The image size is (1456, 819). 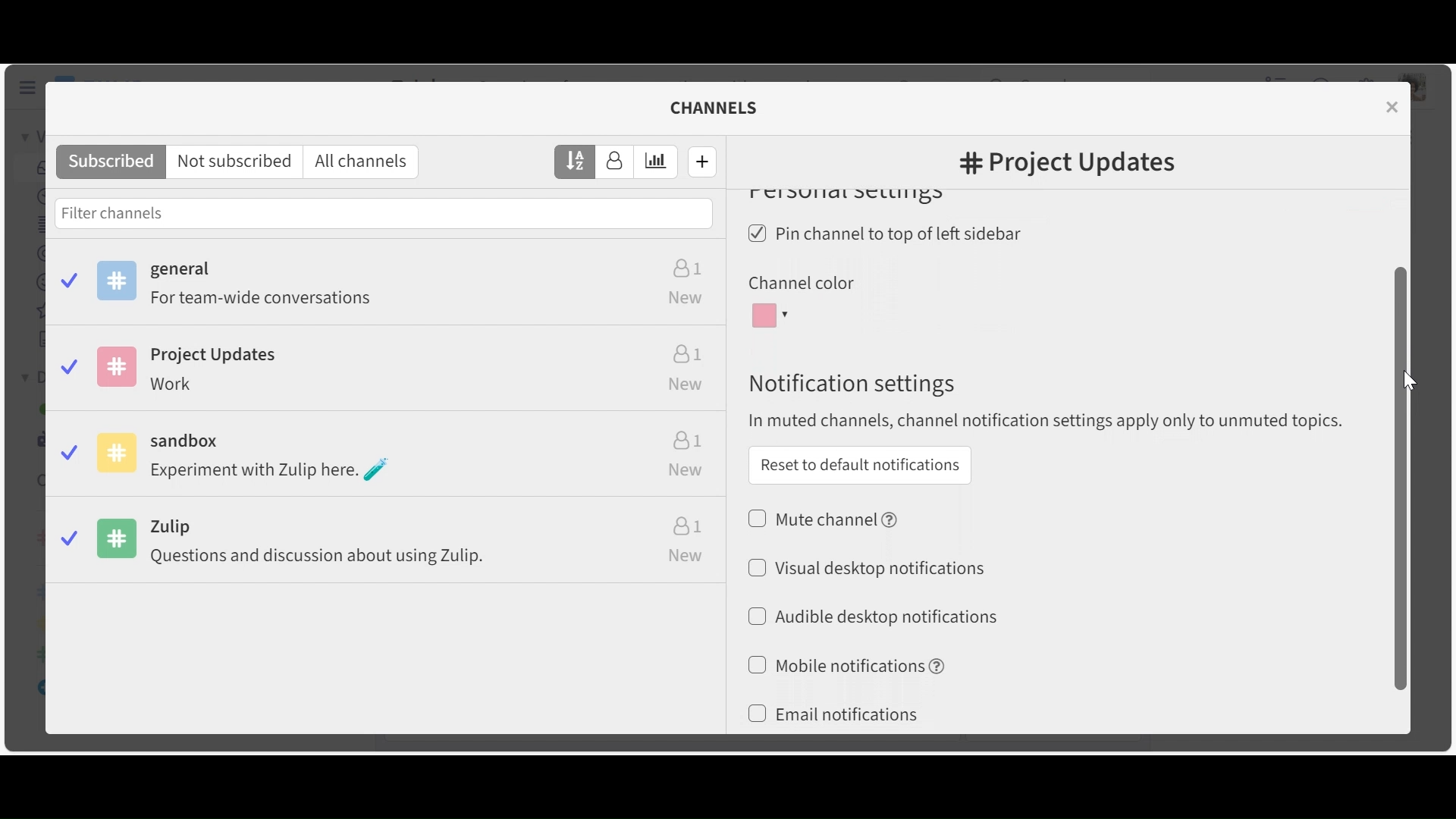 What do you see at coordinates (386, 372) in the screenshot?
I see `Project Updates` at bounding box center [386, 372].